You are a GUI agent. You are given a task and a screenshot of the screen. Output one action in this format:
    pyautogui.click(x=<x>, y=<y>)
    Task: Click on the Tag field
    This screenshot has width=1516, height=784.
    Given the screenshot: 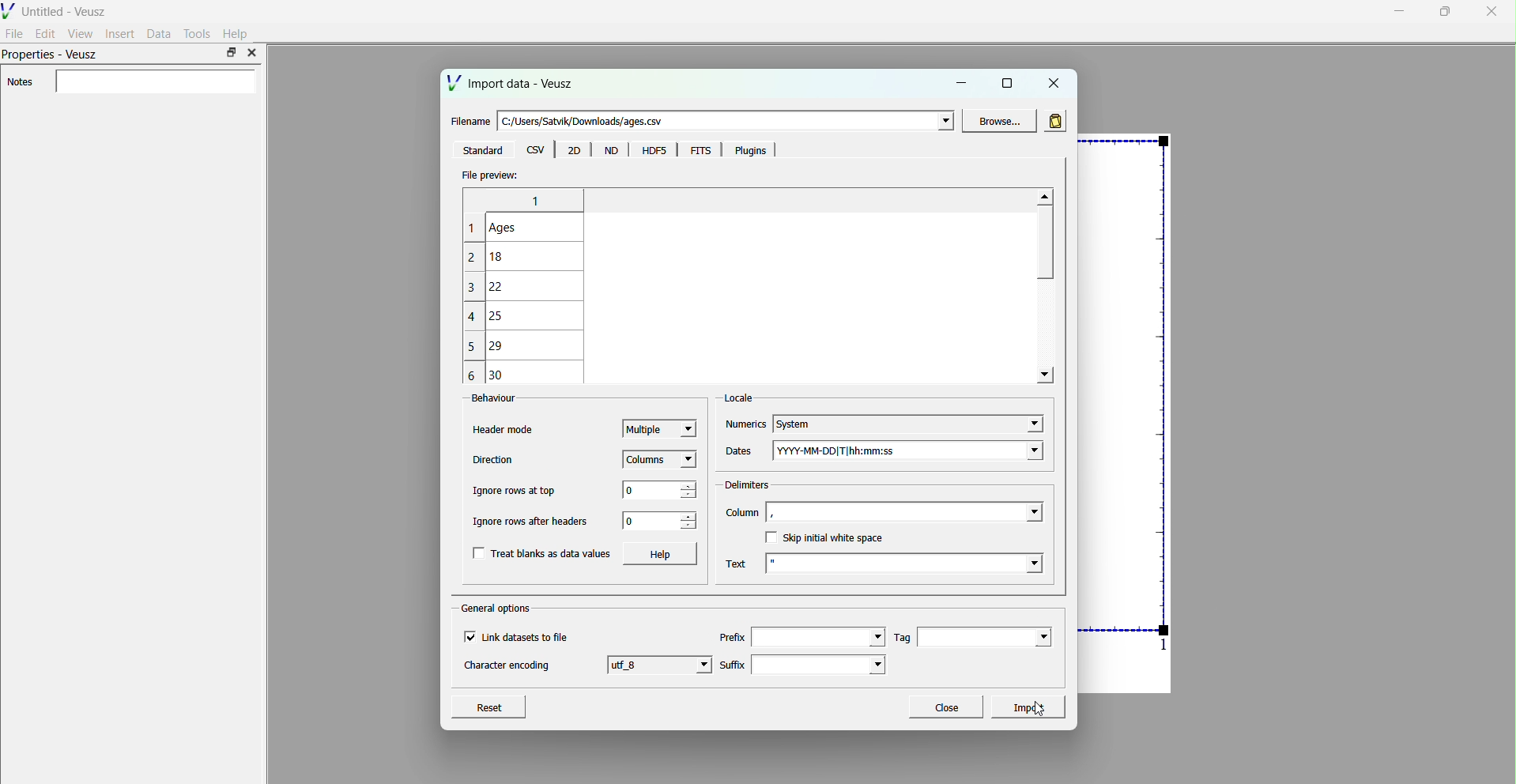 What is the action you would take?
    pyautogui.click(x=985, y=637)
    